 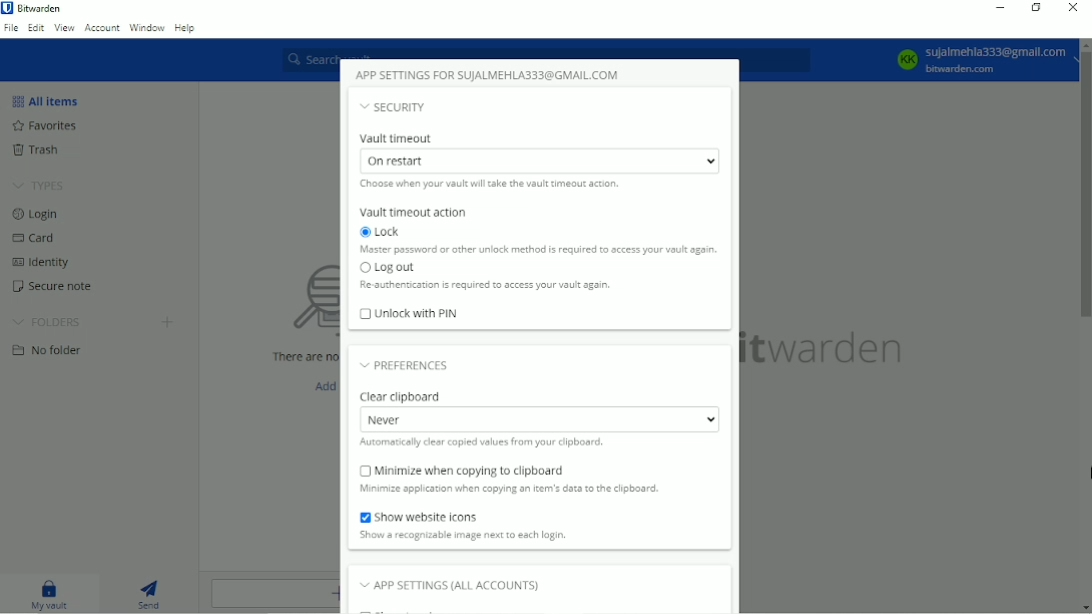 I want to click on Minimize, so click(x=999, y=7).